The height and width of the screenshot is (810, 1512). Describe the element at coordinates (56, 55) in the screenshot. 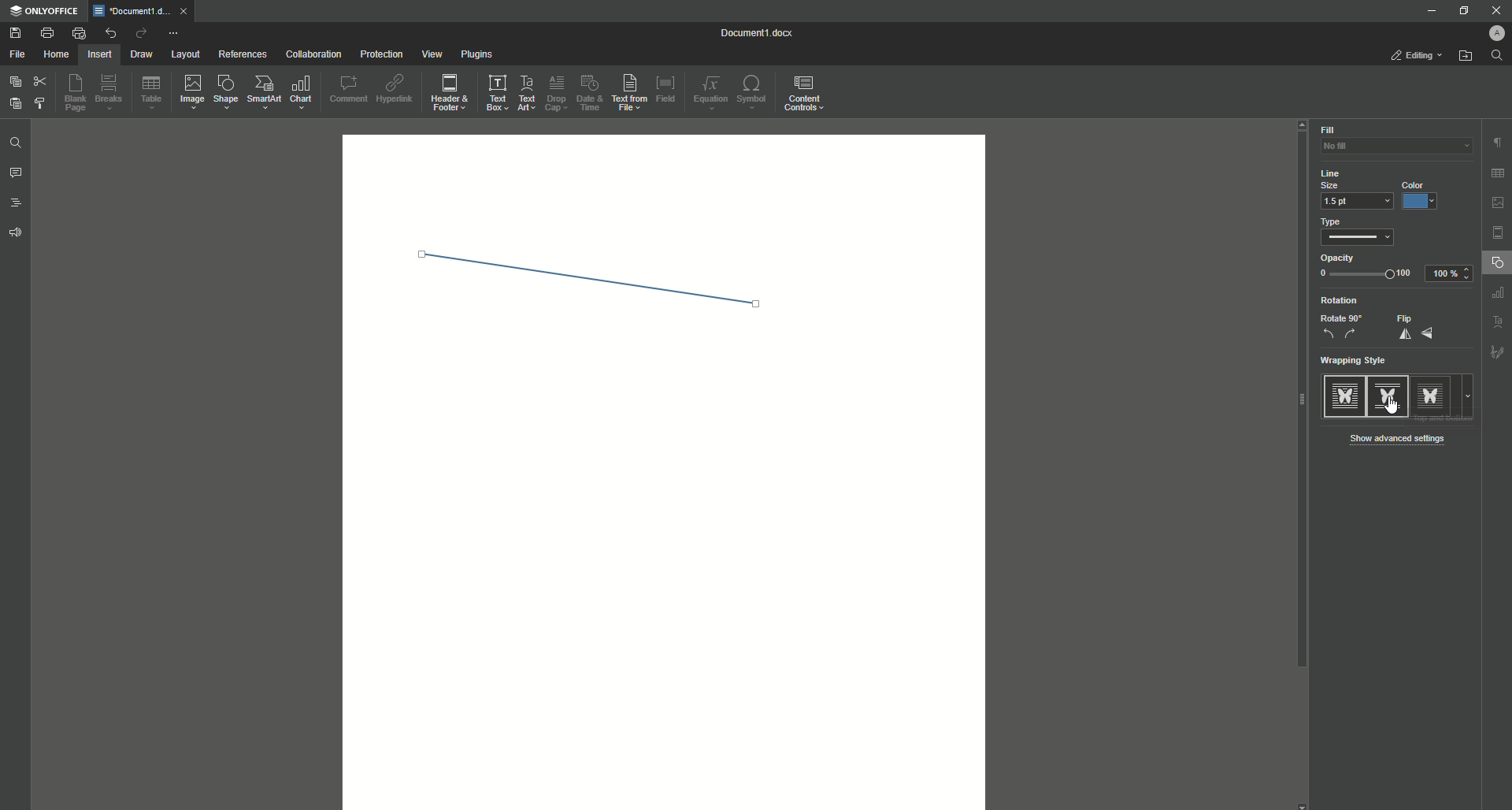

I see `Home` at that location.